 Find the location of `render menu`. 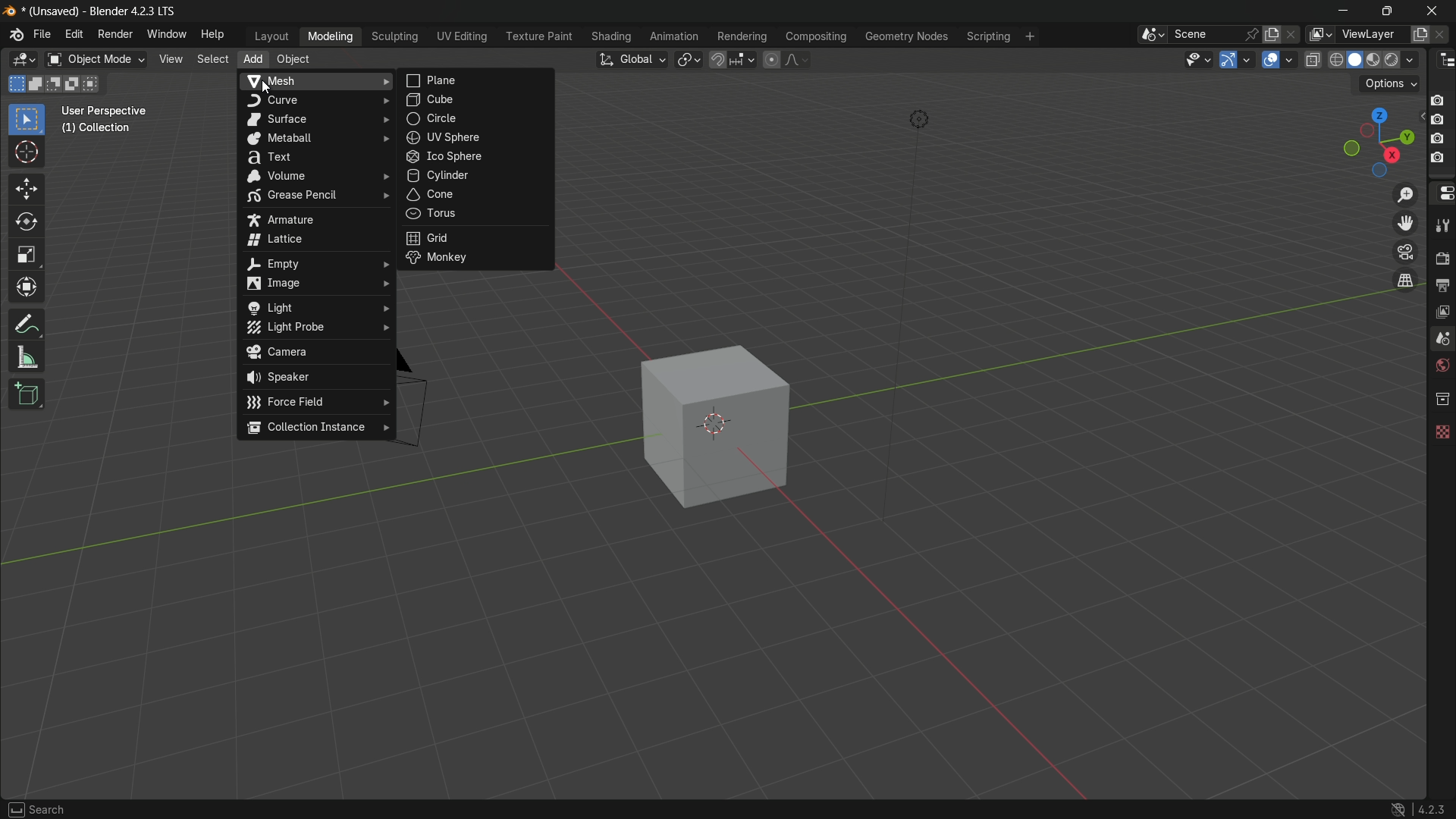

render menu is located at coordinates (115, 35).